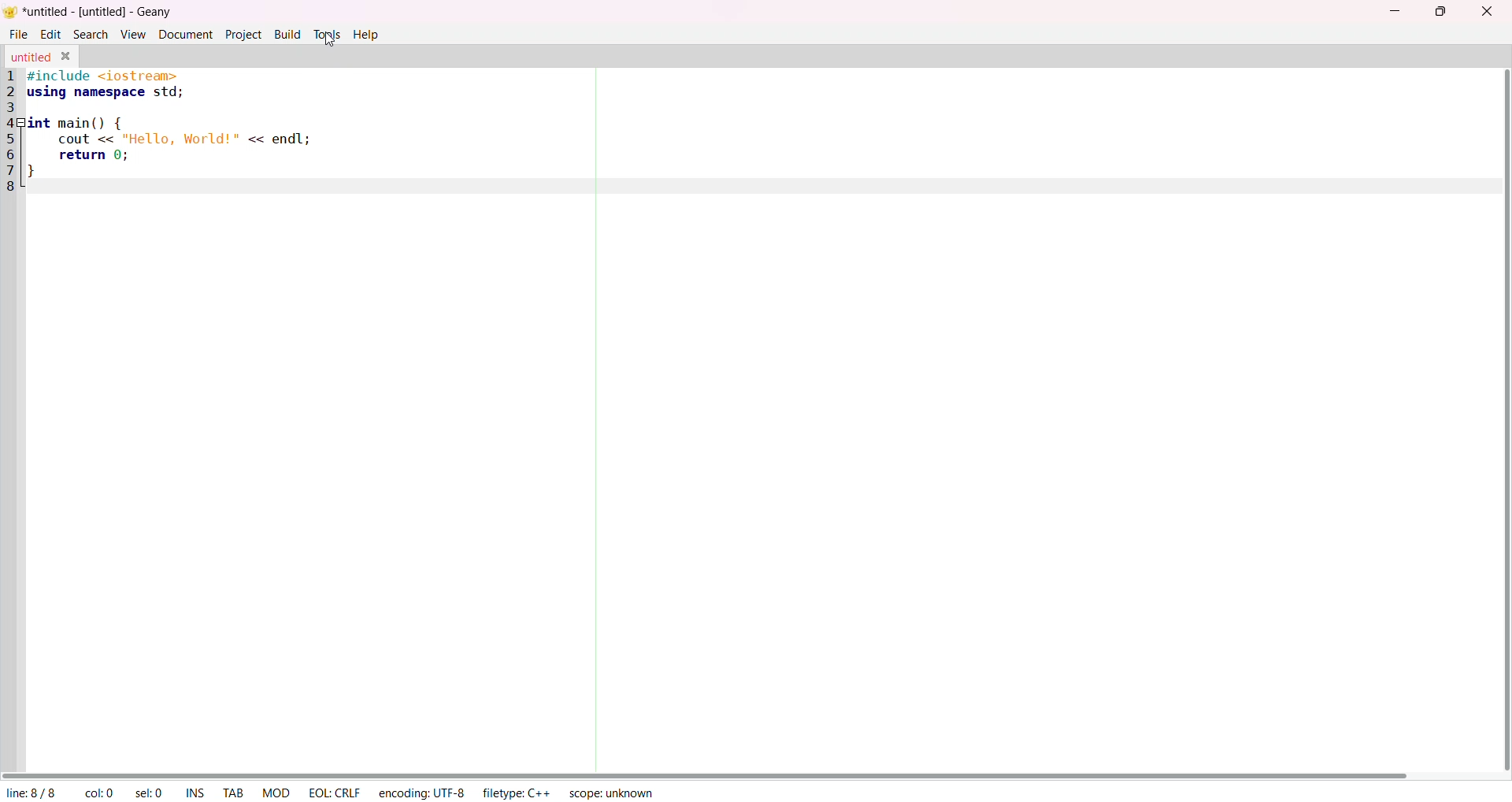 The width and height of the screenshot is (1512, 802). I want to click on View, so click(134, 34).